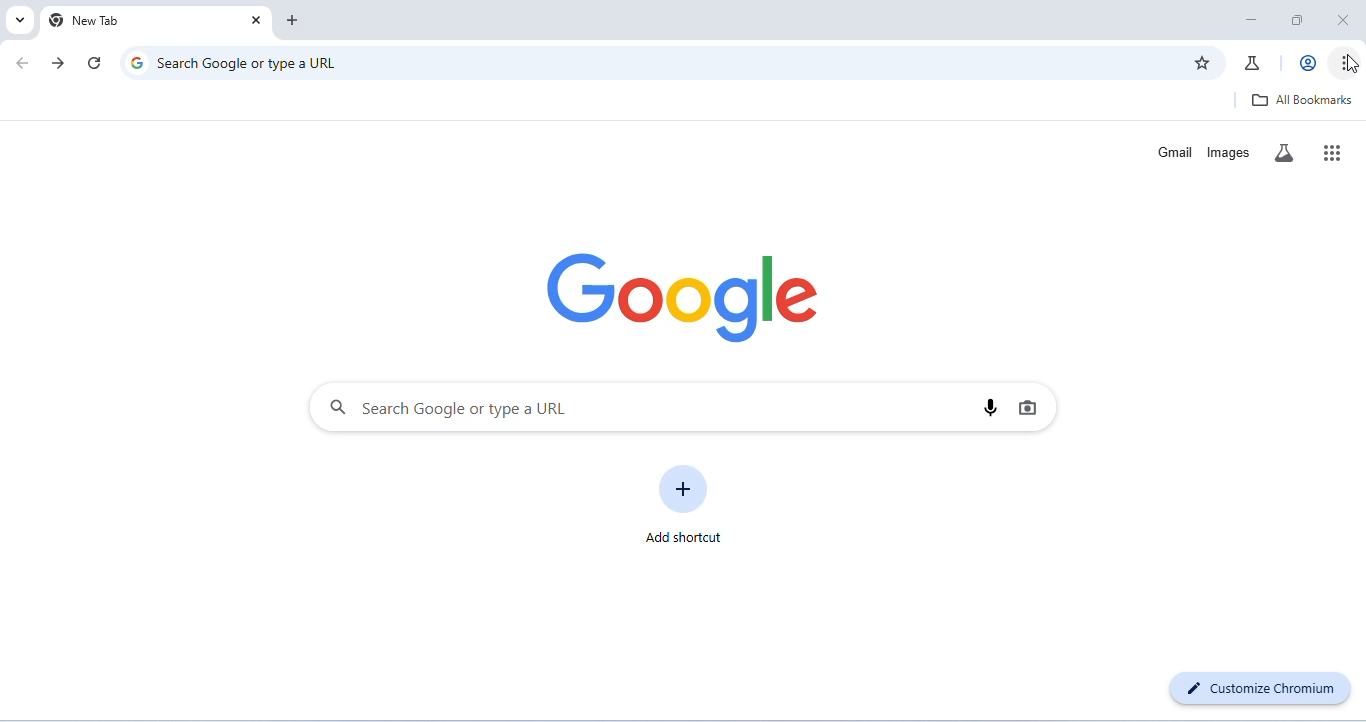 The height and width of the screenshot is (722, 1366). What do you see at coordinates (23, 63) in the screenshot?
I see `go back` at bounding box center [23, 63].